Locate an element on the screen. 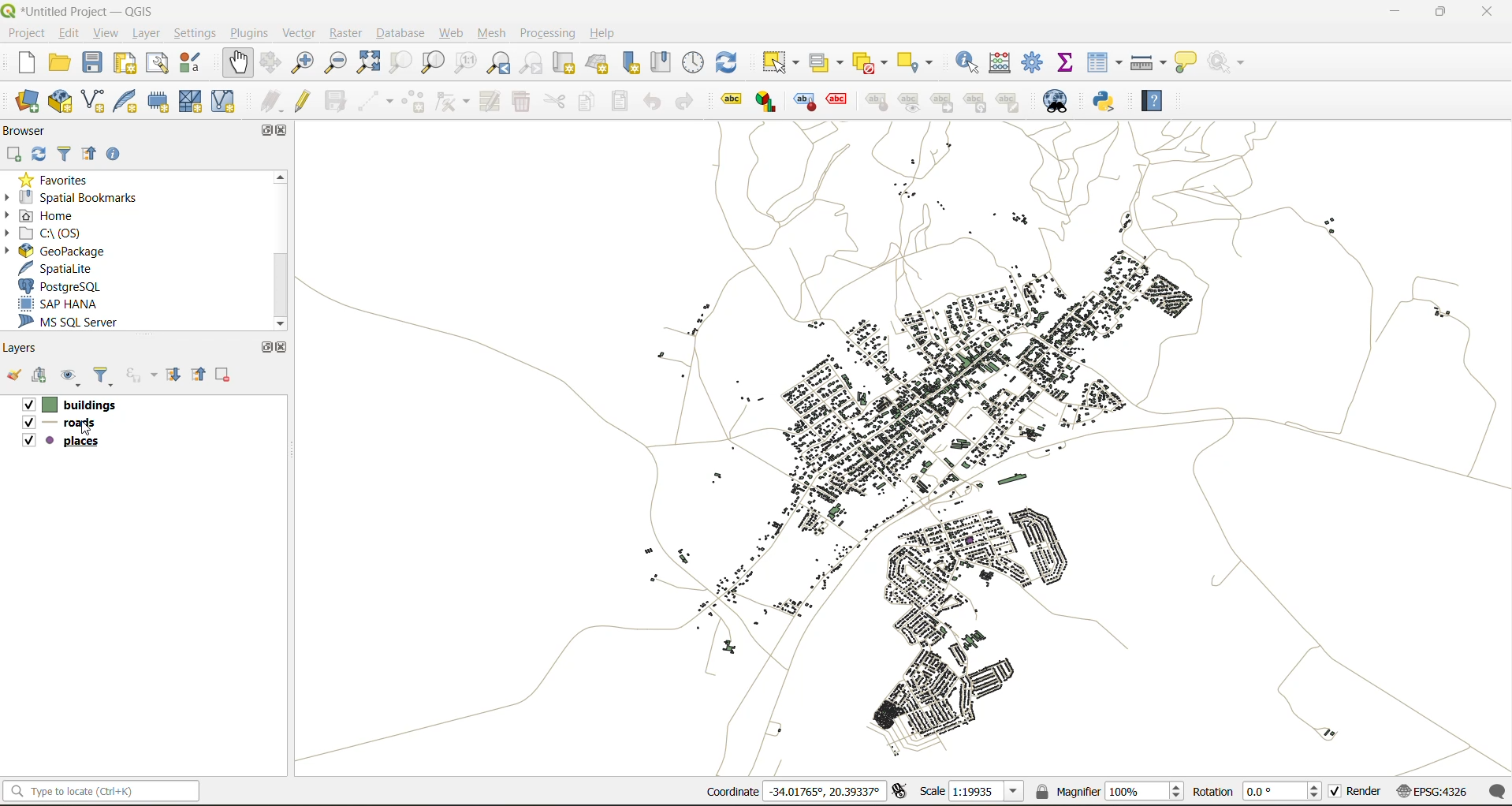  zoom last is located at coordinates (498, 63).